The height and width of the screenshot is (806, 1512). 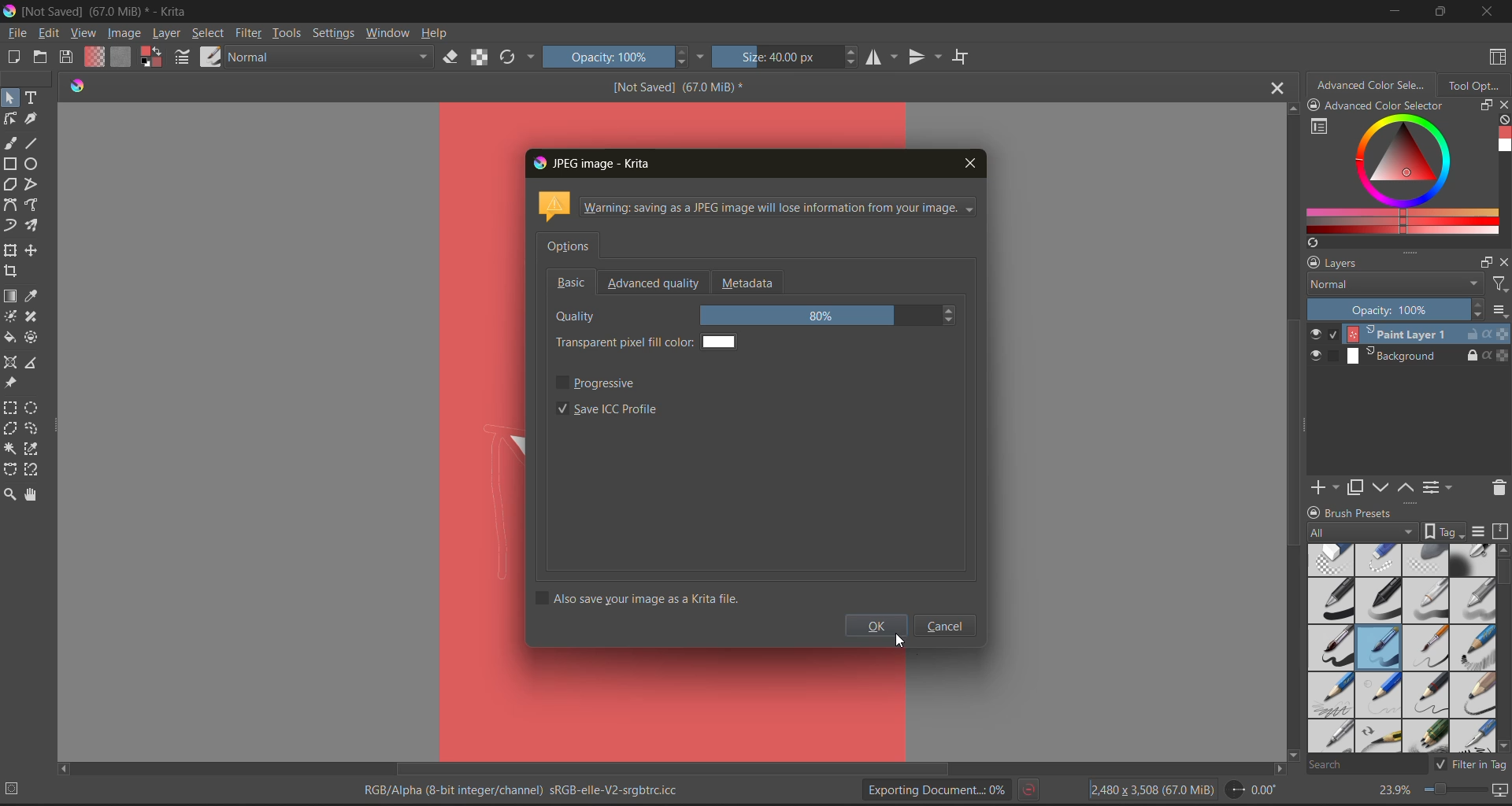 I want to click on Brush presets, so click(x=1384, y=513).